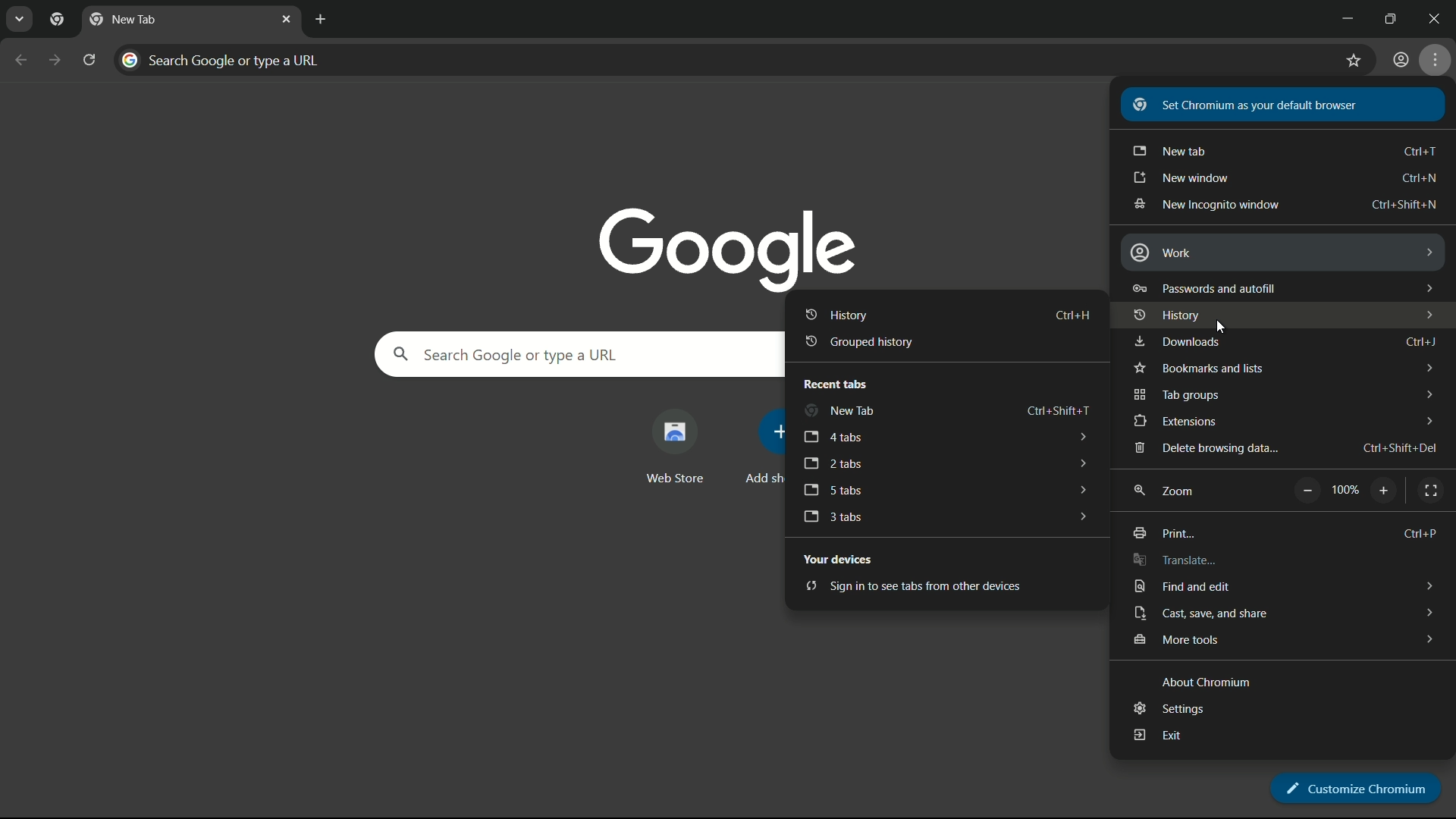 Image resolution: width=1456 pixels, height=819 pixels. I want to click on settings, so click(1437, 59).